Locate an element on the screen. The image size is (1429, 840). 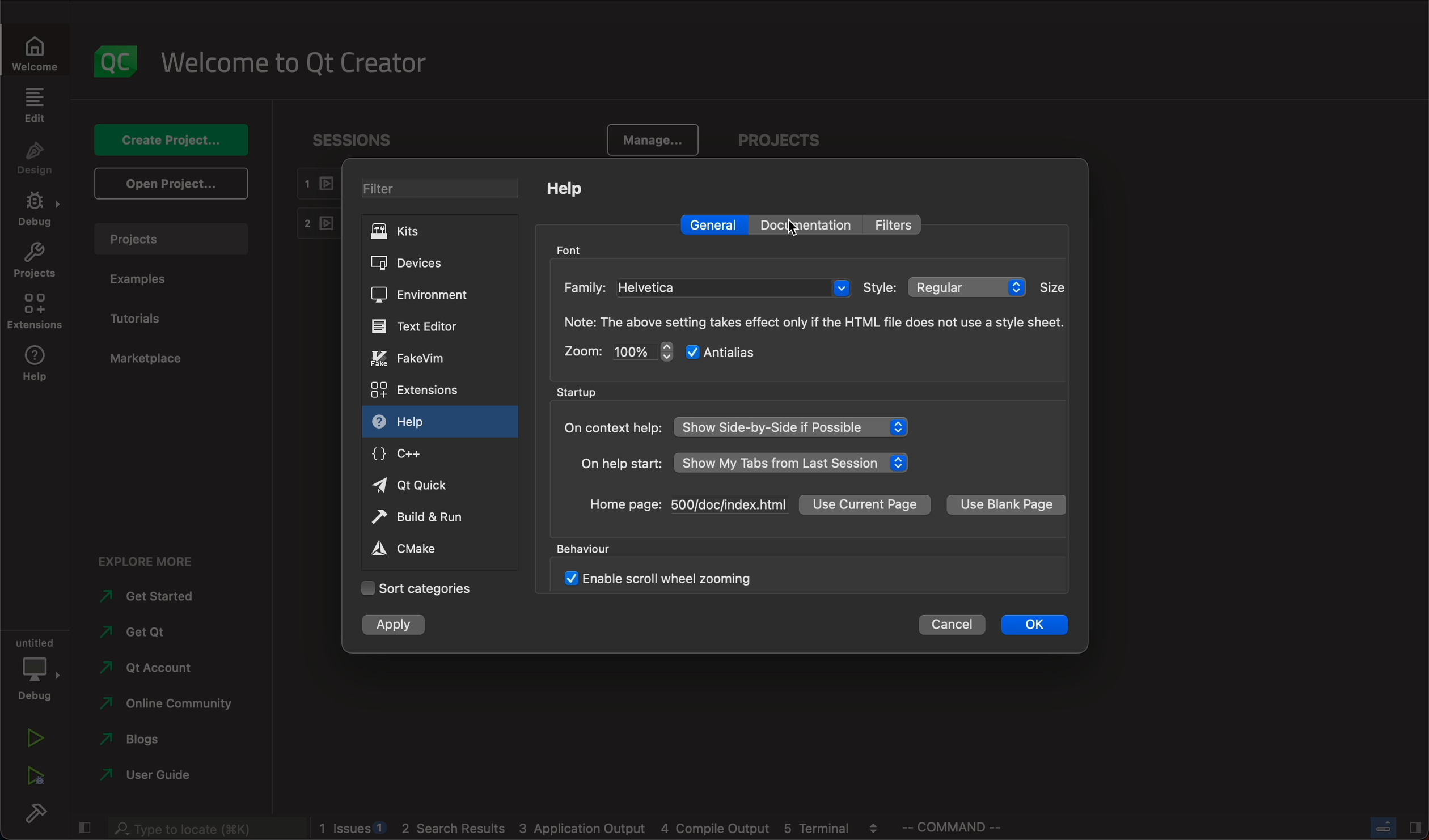
marketplace is located at coordinates (146, 359).